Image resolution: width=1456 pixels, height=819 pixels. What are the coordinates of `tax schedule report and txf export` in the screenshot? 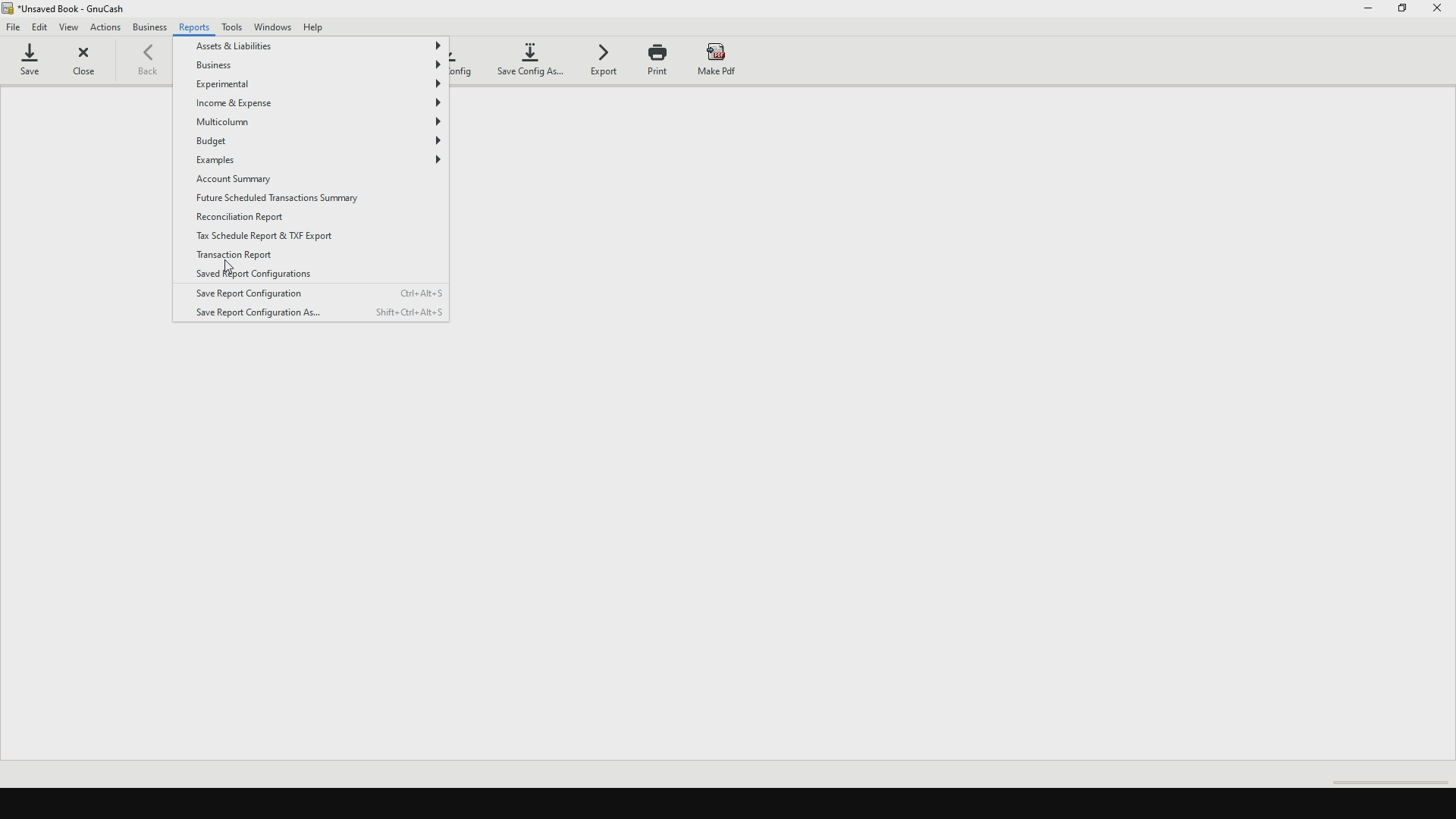 It's located at (290, 238).